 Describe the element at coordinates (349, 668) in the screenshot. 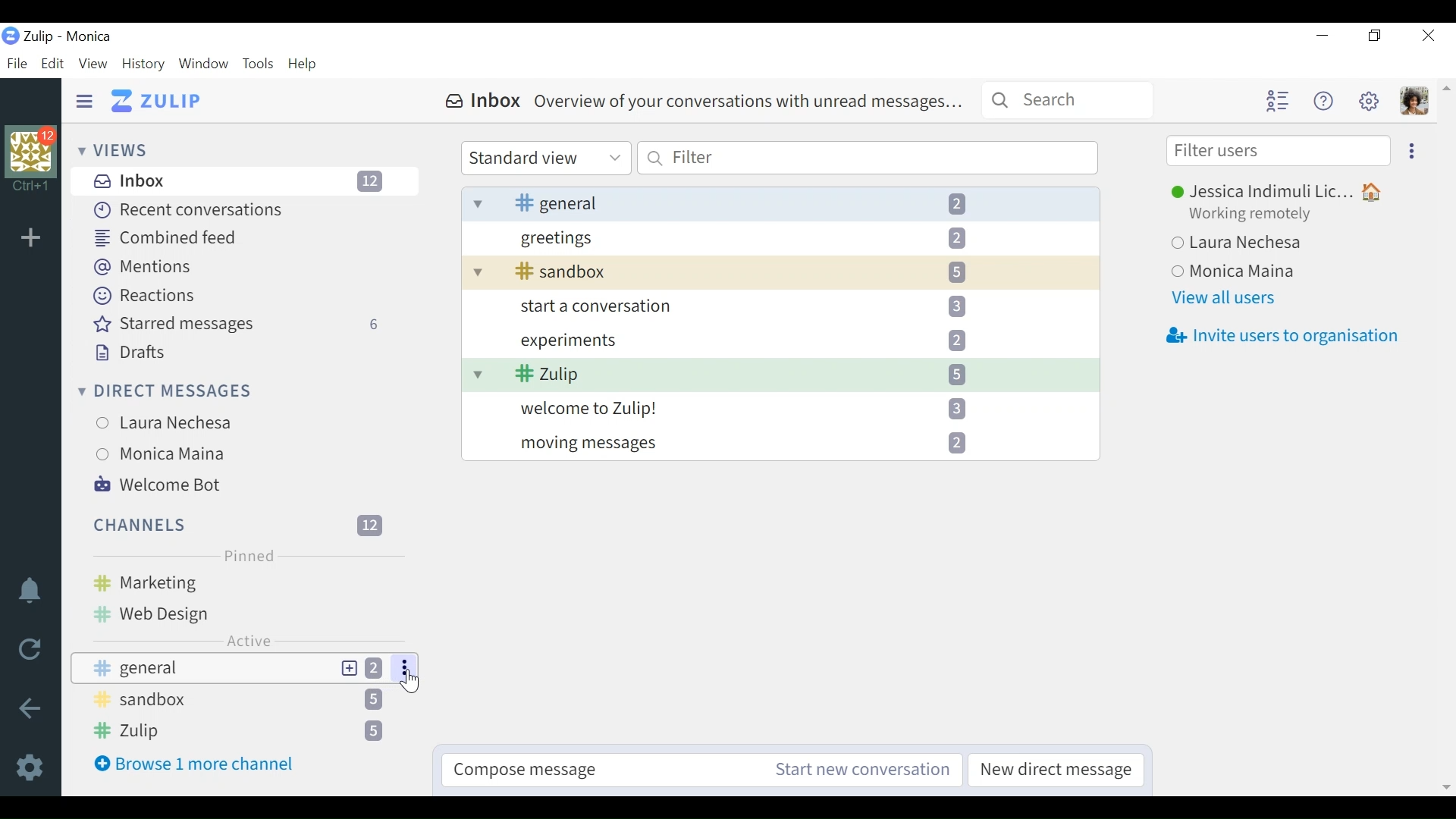

I see `New topic` at that location.